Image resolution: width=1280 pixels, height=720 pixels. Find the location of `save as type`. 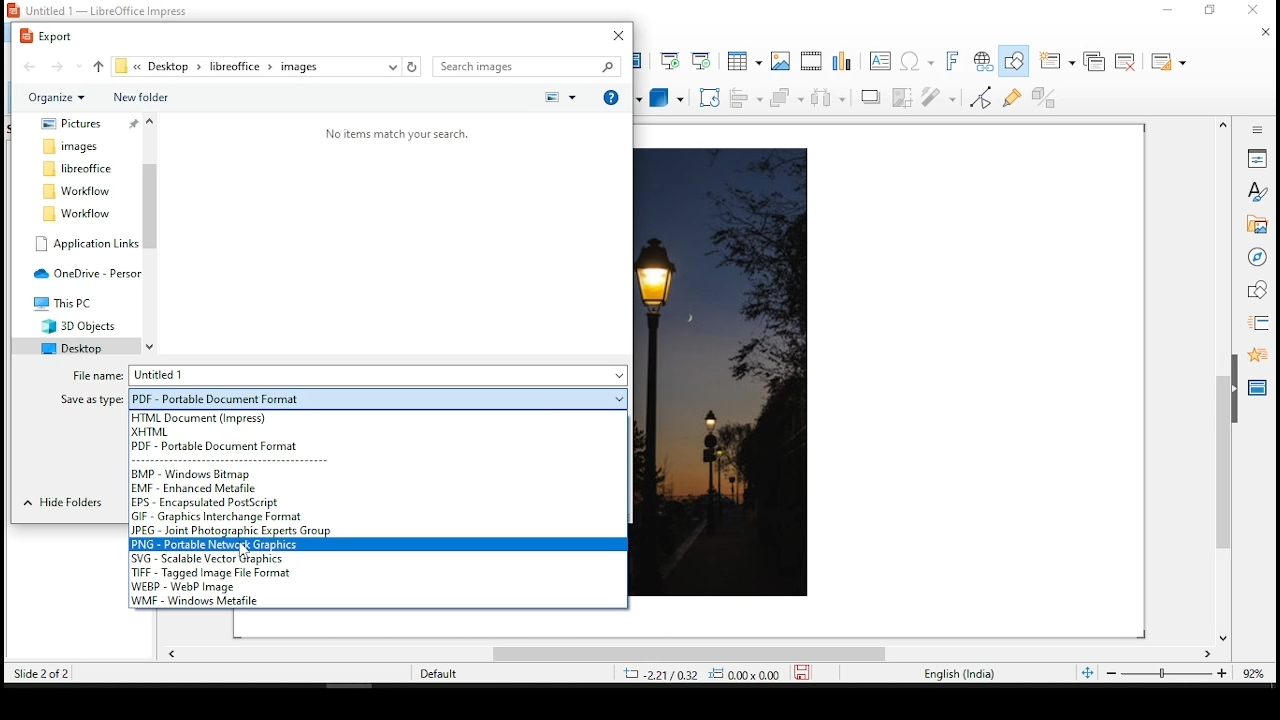

save as type is located at coordinates (378, 399).